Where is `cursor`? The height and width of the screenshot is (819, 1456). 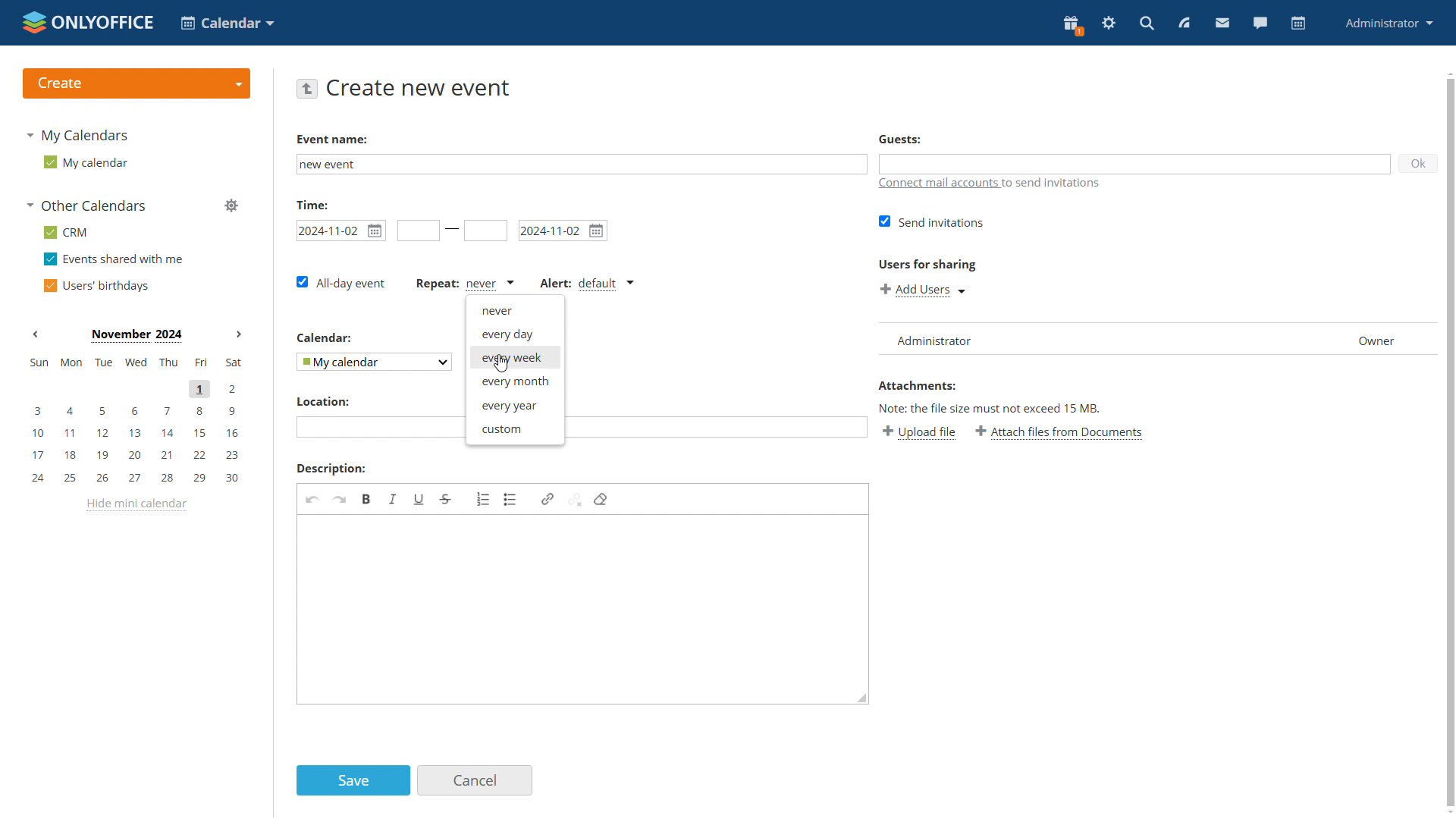 cursor is located at coordinates (500, 364).